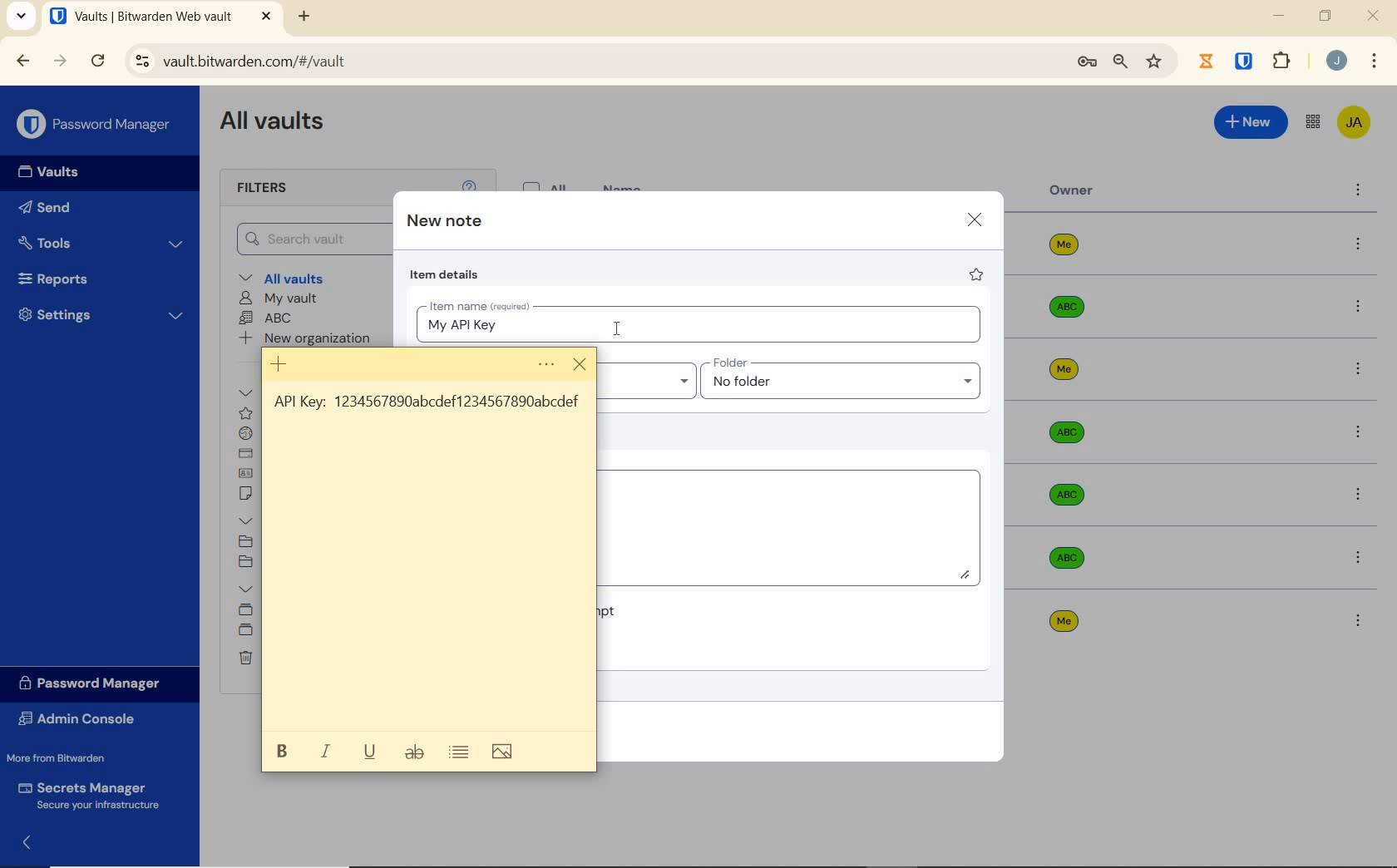 The width and height of the screenshot is (1397, 868). Describe the element at coordinates (545, 364) in the screenshot. I see `menu` at that location.